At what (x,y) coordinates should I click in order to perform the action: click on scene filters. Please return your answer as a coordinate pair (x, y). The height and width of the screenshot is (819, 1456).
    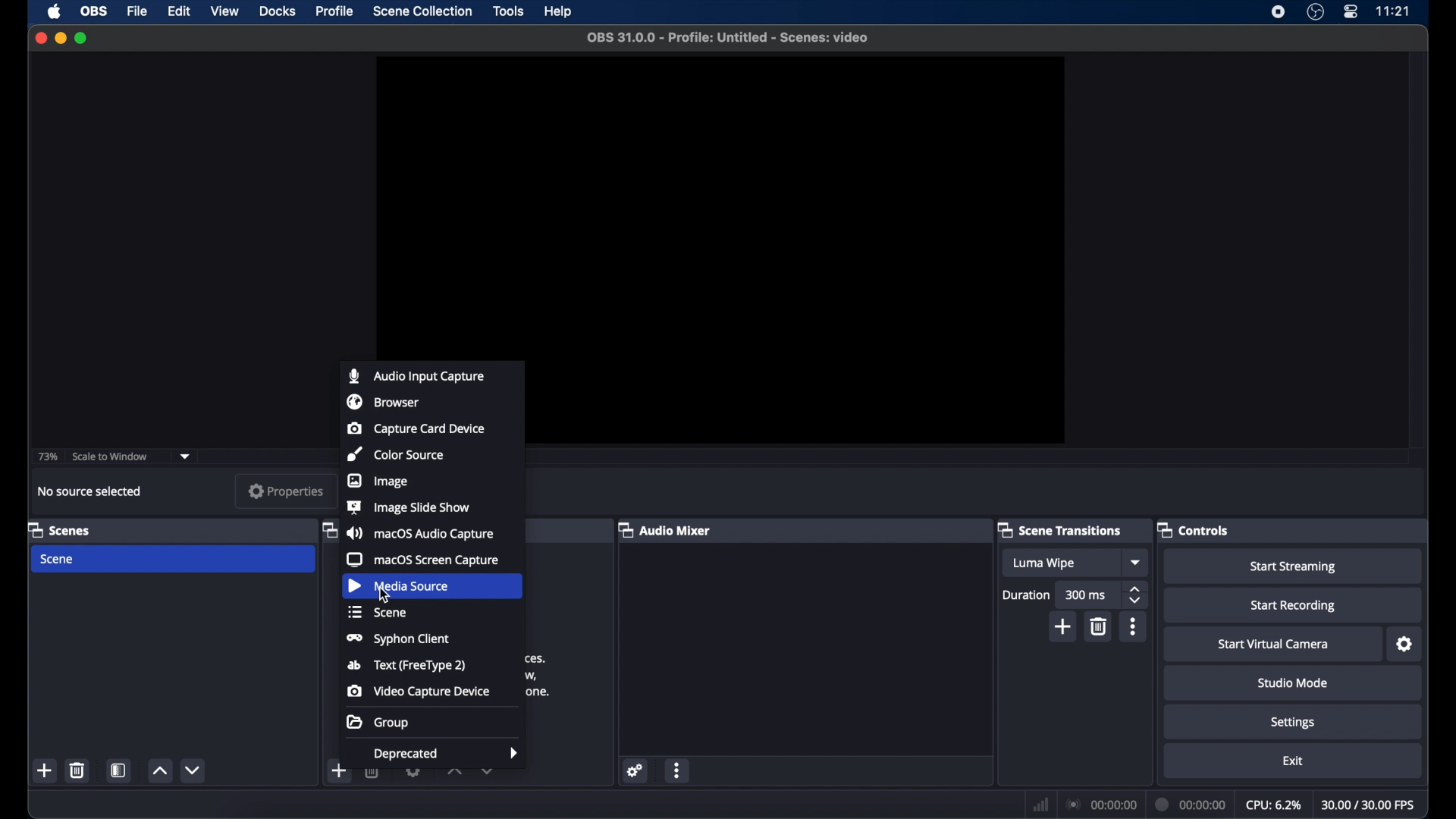
    Looking at the image, I should click on (120, 770).